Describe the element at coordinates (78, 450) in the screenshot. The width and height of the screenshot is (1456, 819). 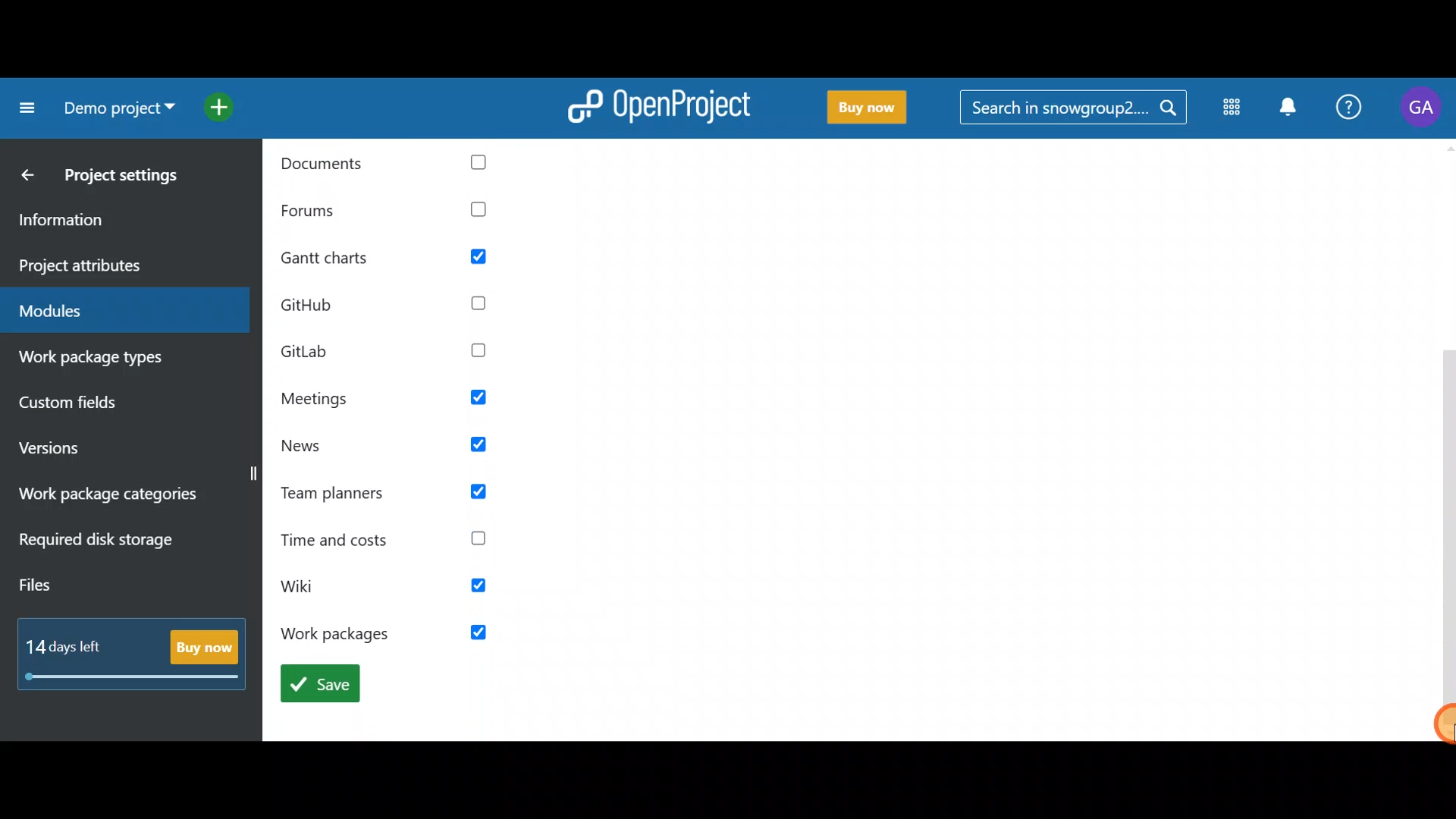
I see `Versions` at that location.